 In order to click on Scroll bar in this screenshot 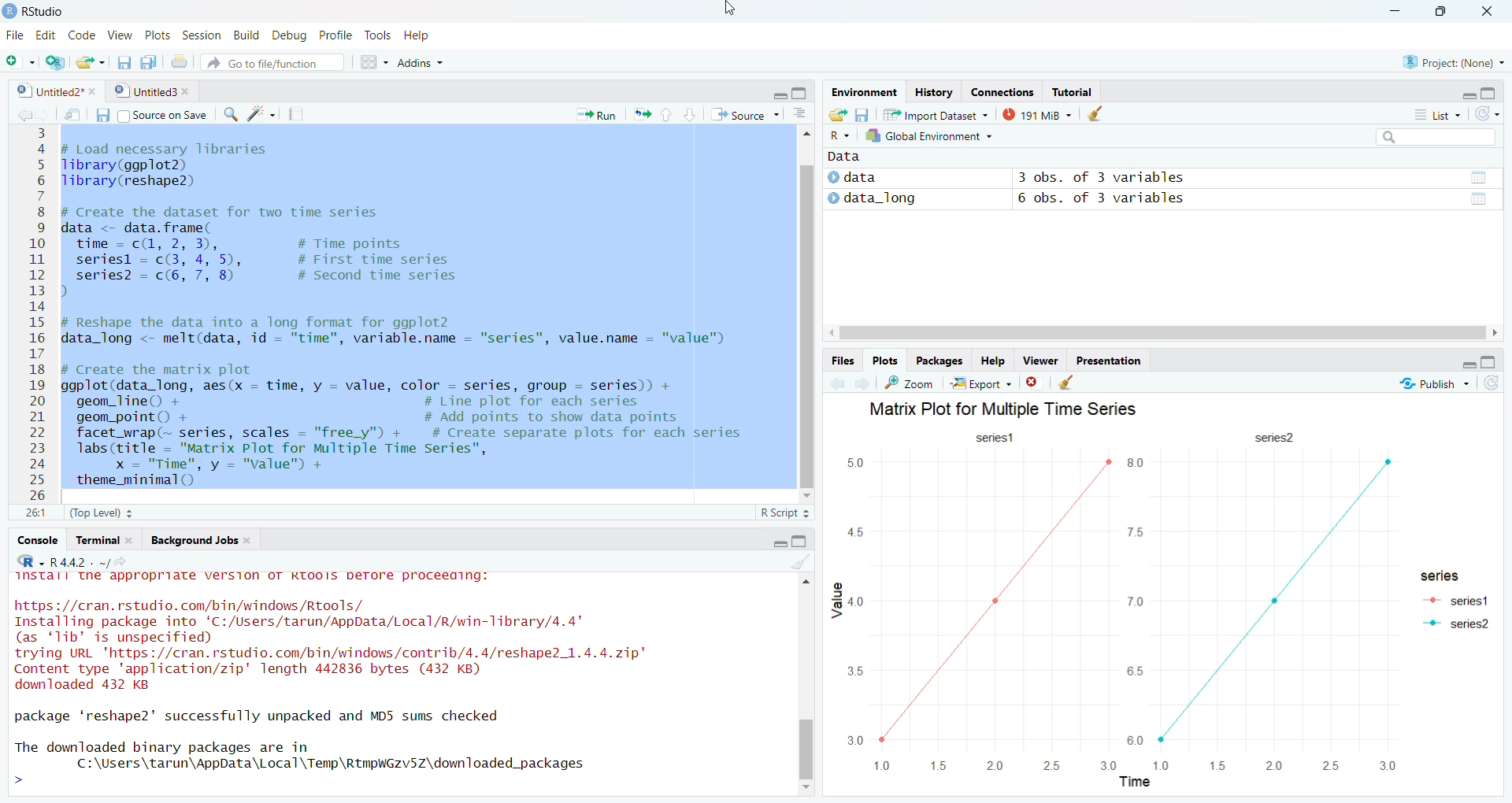, I will do `click(808, 729)`.